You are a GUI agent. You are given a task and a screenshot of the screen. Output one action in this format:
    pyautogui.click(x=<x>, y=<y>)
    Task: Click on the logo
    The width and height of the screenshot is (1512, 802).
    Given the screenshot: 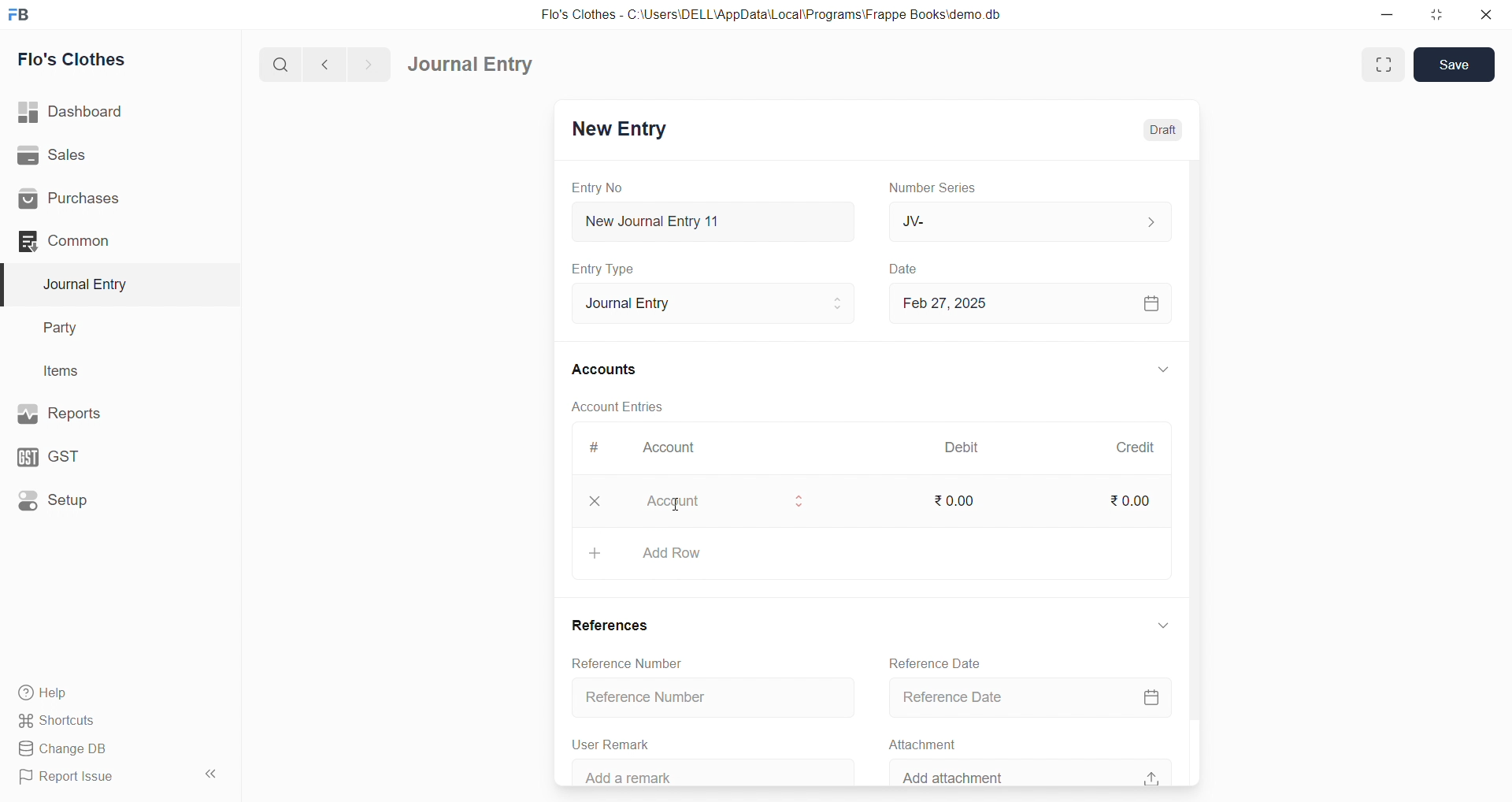 What is the action you would take?
    pyautogui.click(x=24, y=13)
    